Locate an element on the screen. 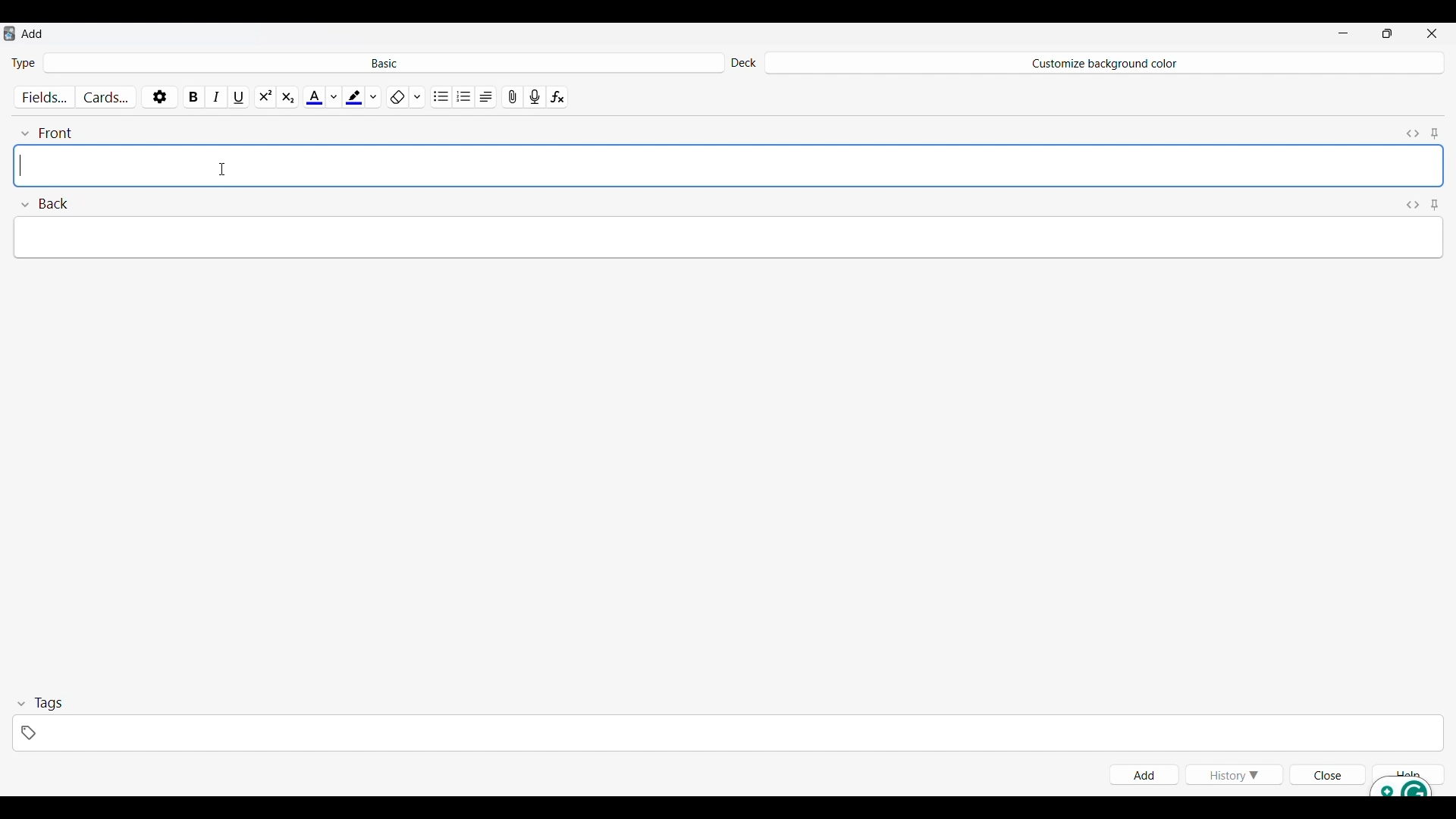  Customize cards is located at coordinates (106, 95).